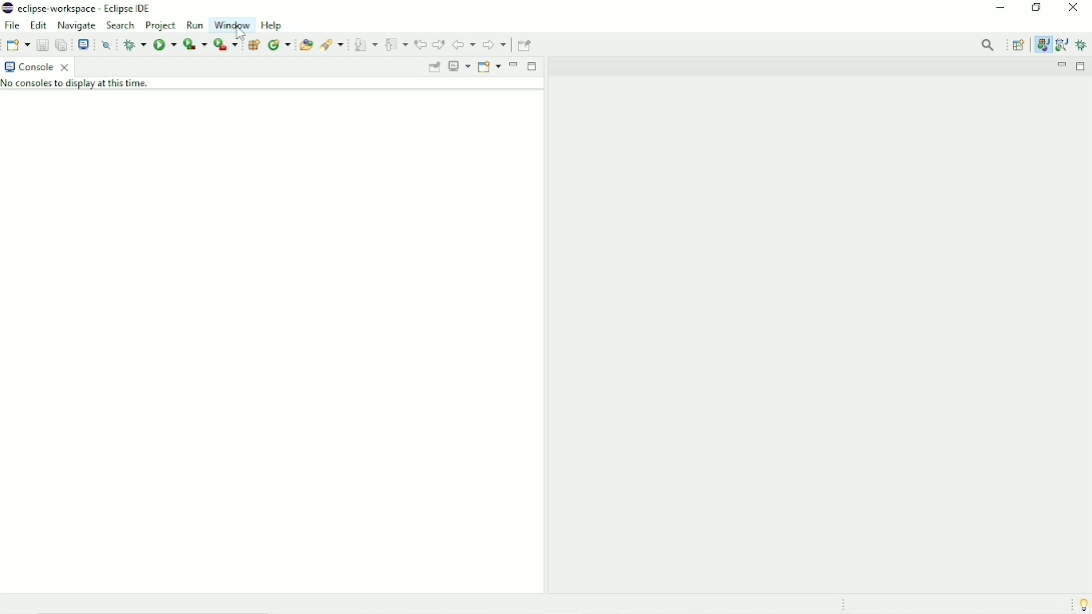  Describe the element at coordinates (161, 25) in the screenshot. I see `Project` at that location.